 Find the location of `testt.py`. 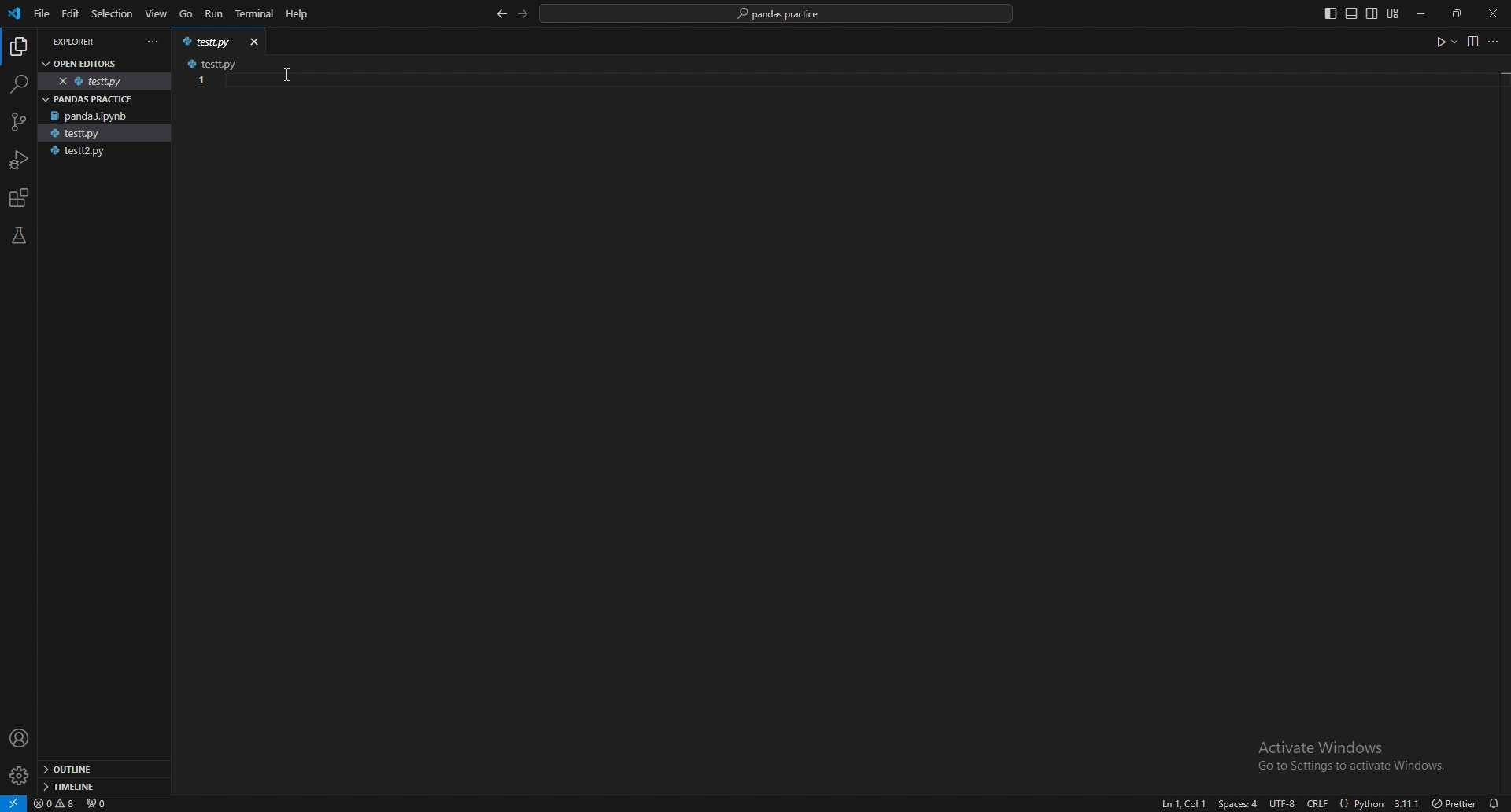

testt.py is located at coordinates (208, 41).